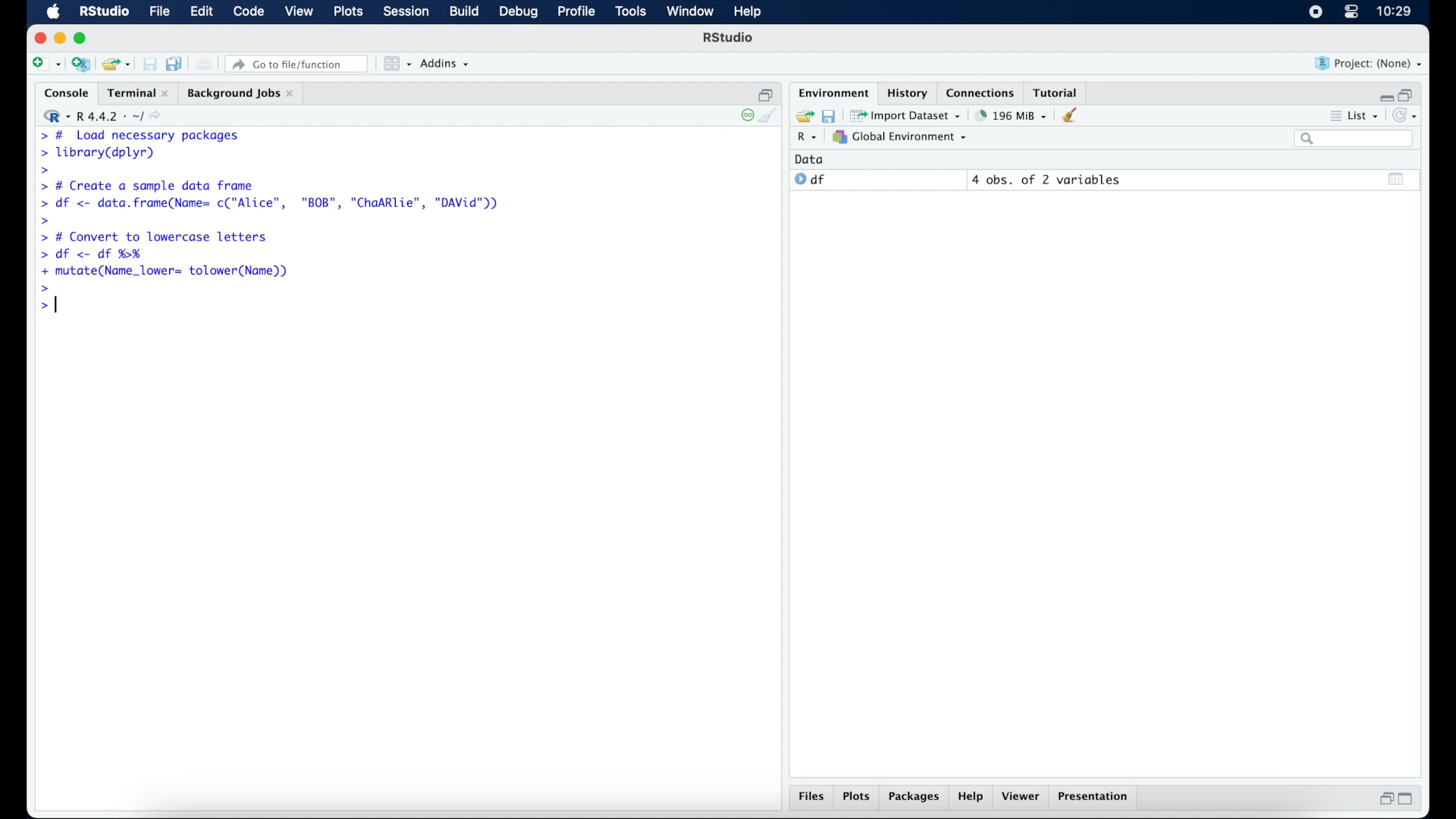 This screenshot has width=1456, height=819. What do you see at coordinates (150, 185) in the screenshot?
I see `> # Create a sample data frame]` at bounding box center [150, 185].